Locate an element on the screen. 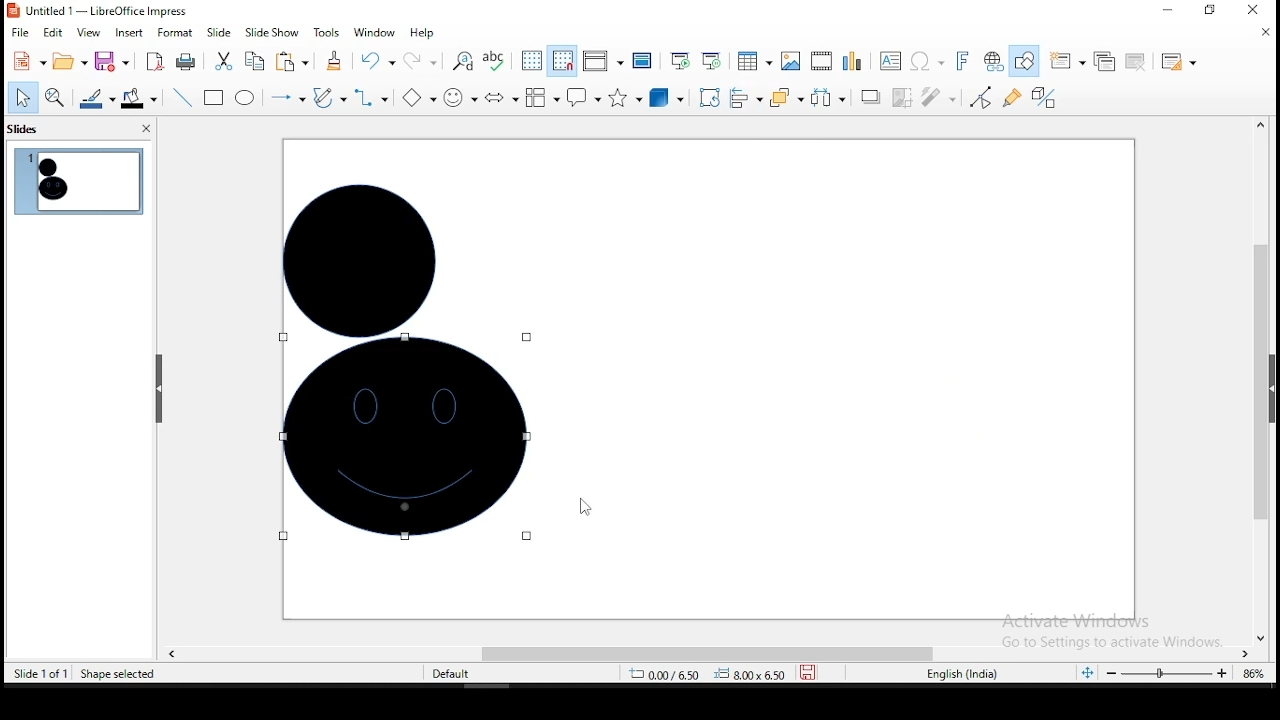 This screenshot has height=720, width=1280. Shadow is located at coordinates (869, 97).